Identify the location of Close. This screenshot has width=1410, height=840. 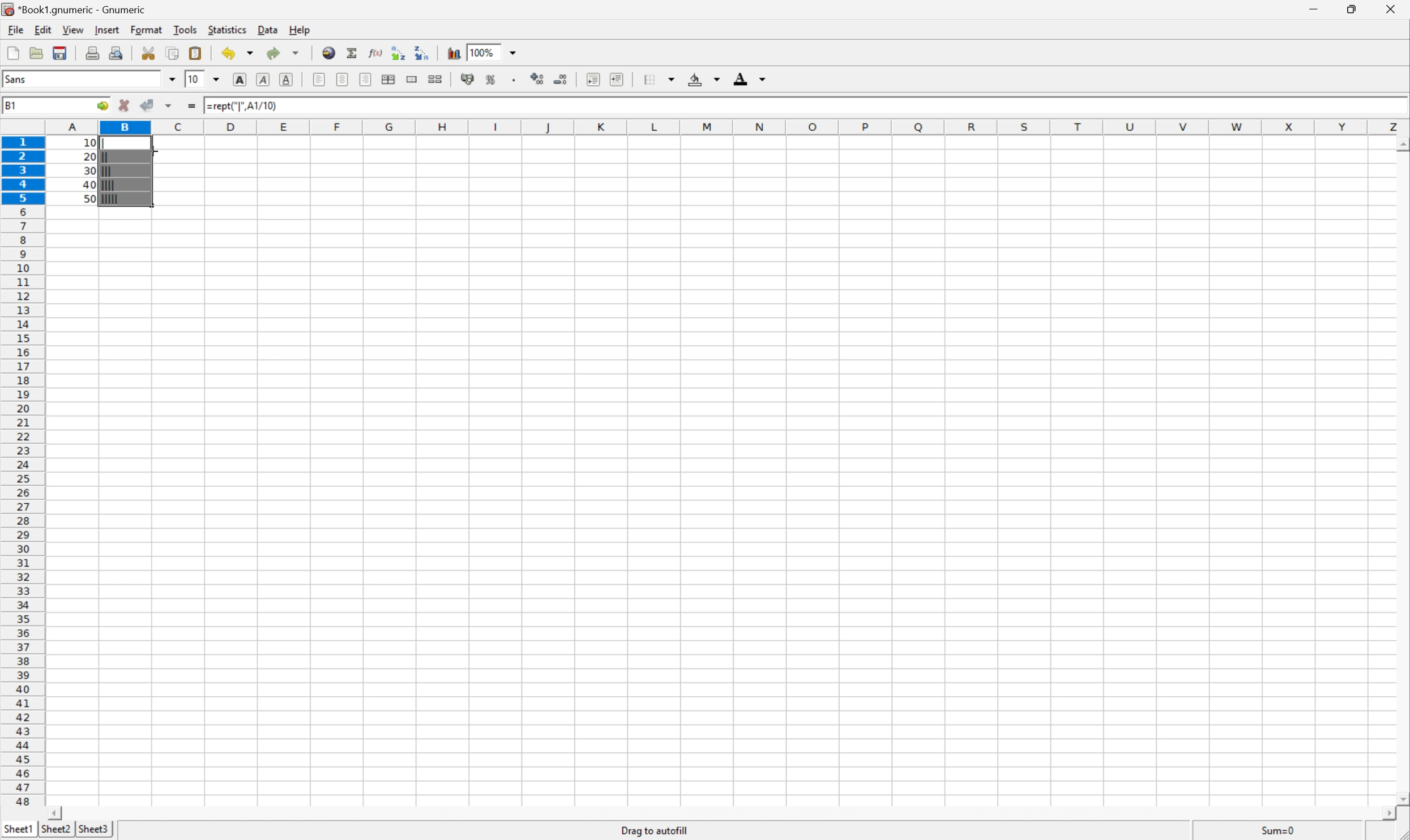
(1392, 7).